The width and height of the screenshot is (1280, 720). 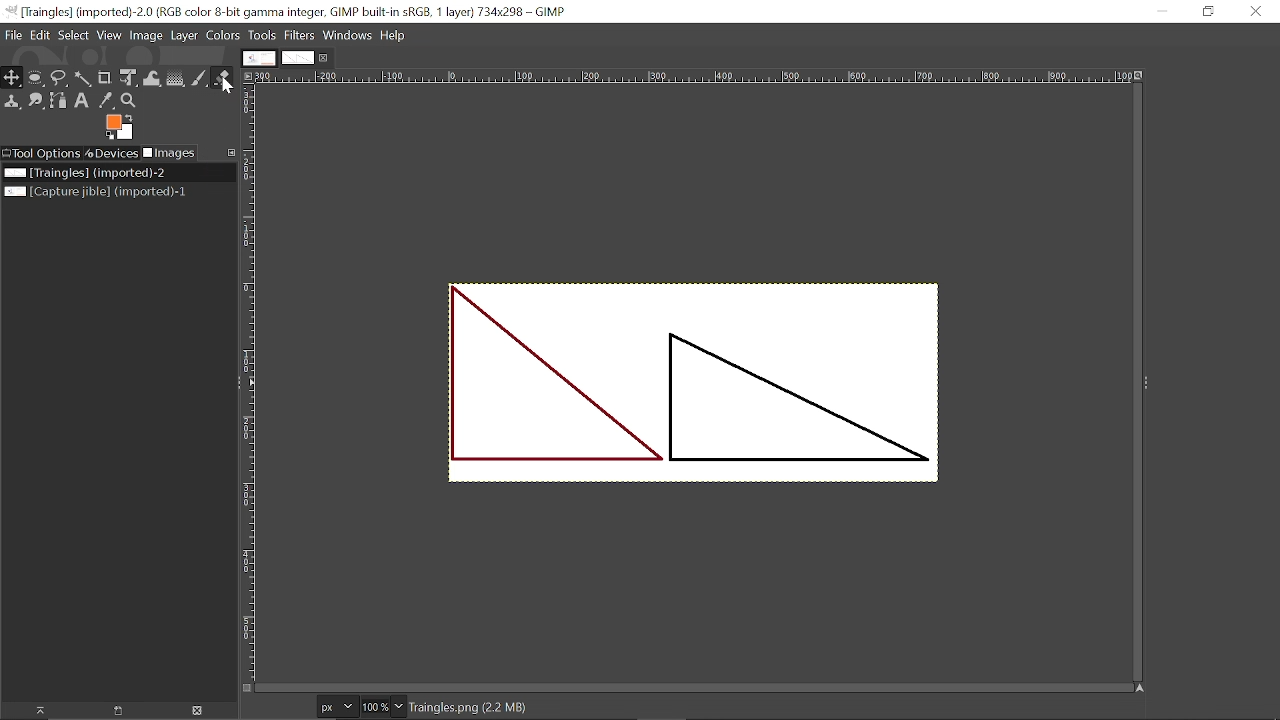 I want to click on Configure this tab, so click(x=231, y=152).